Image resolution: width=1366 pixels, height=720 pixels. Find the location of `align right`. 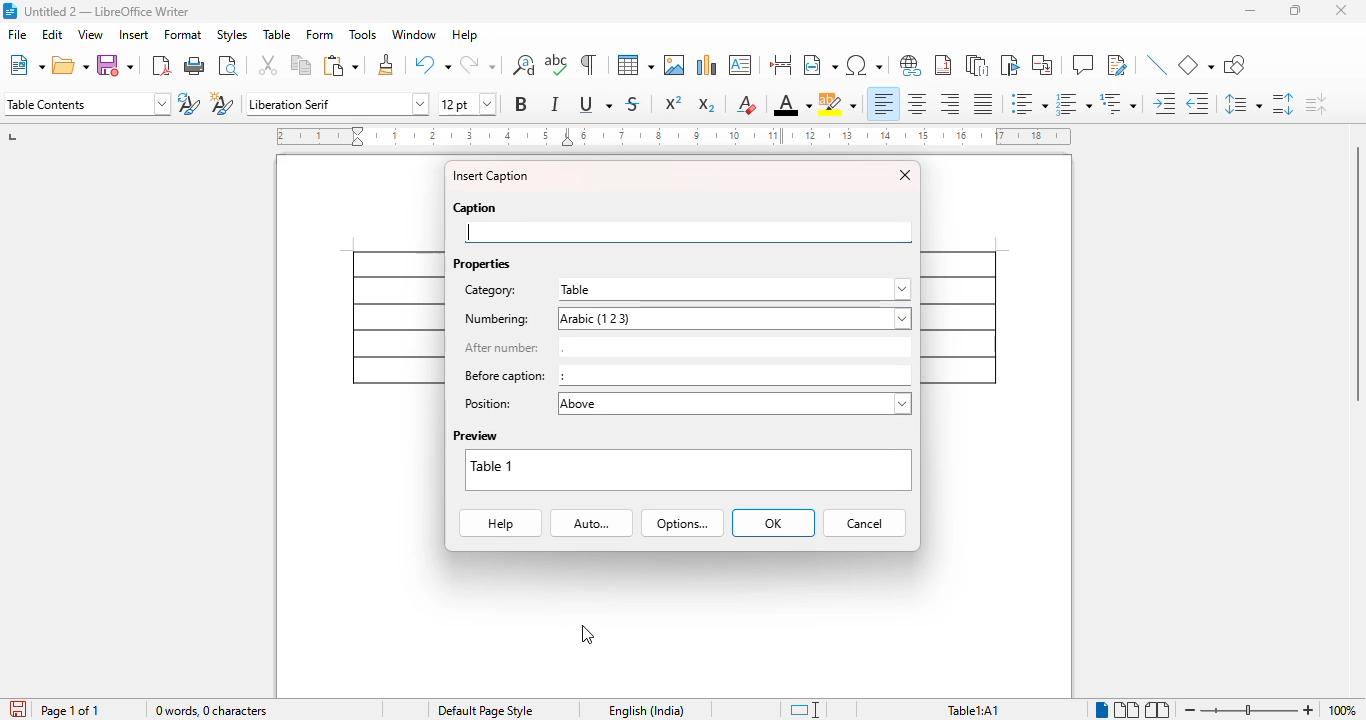

align right is located at coordinates (948, 103).